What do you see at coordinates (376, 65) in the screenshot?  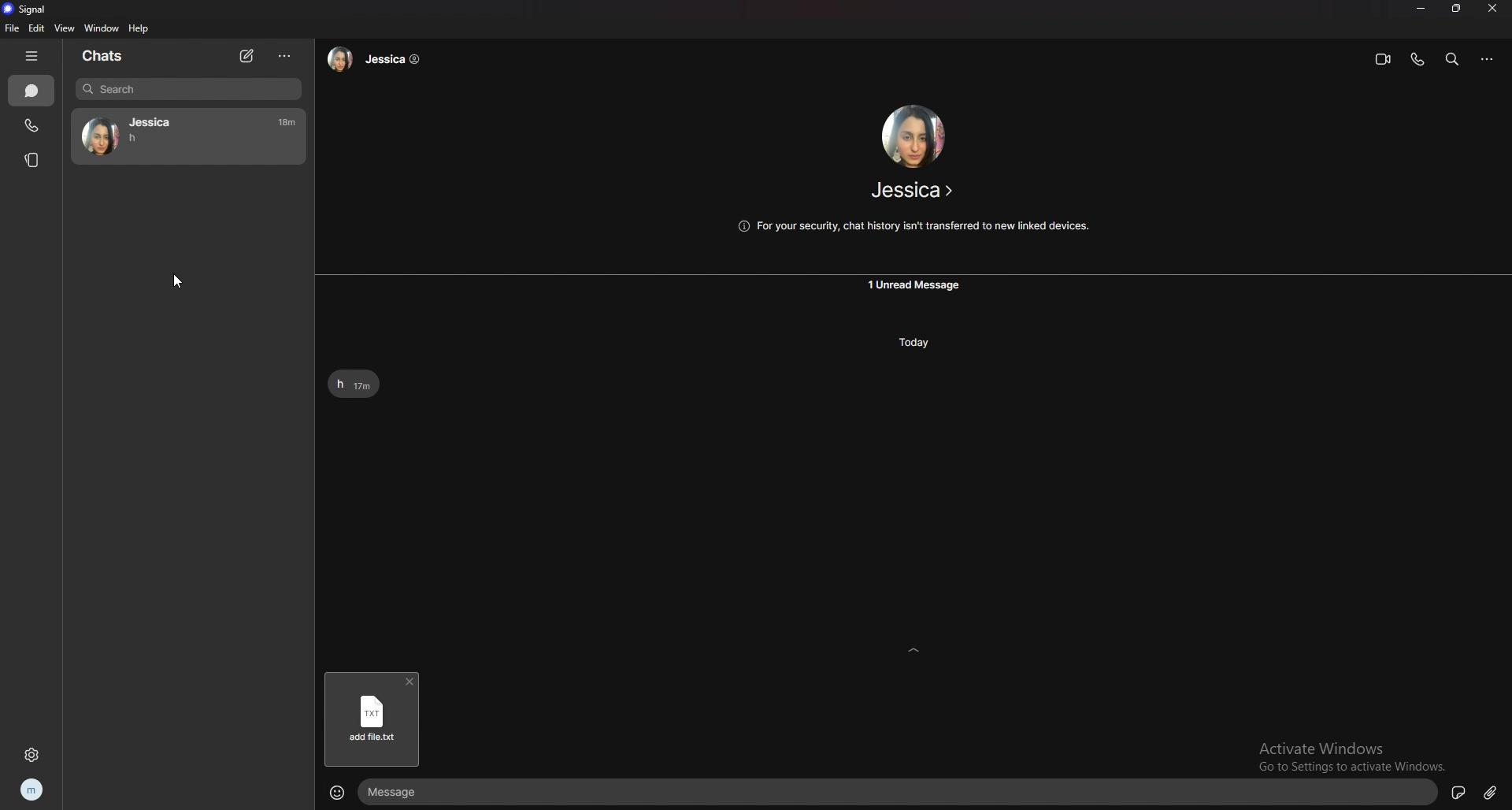 I see `Jessica ©` at bounding box center [376, 65].